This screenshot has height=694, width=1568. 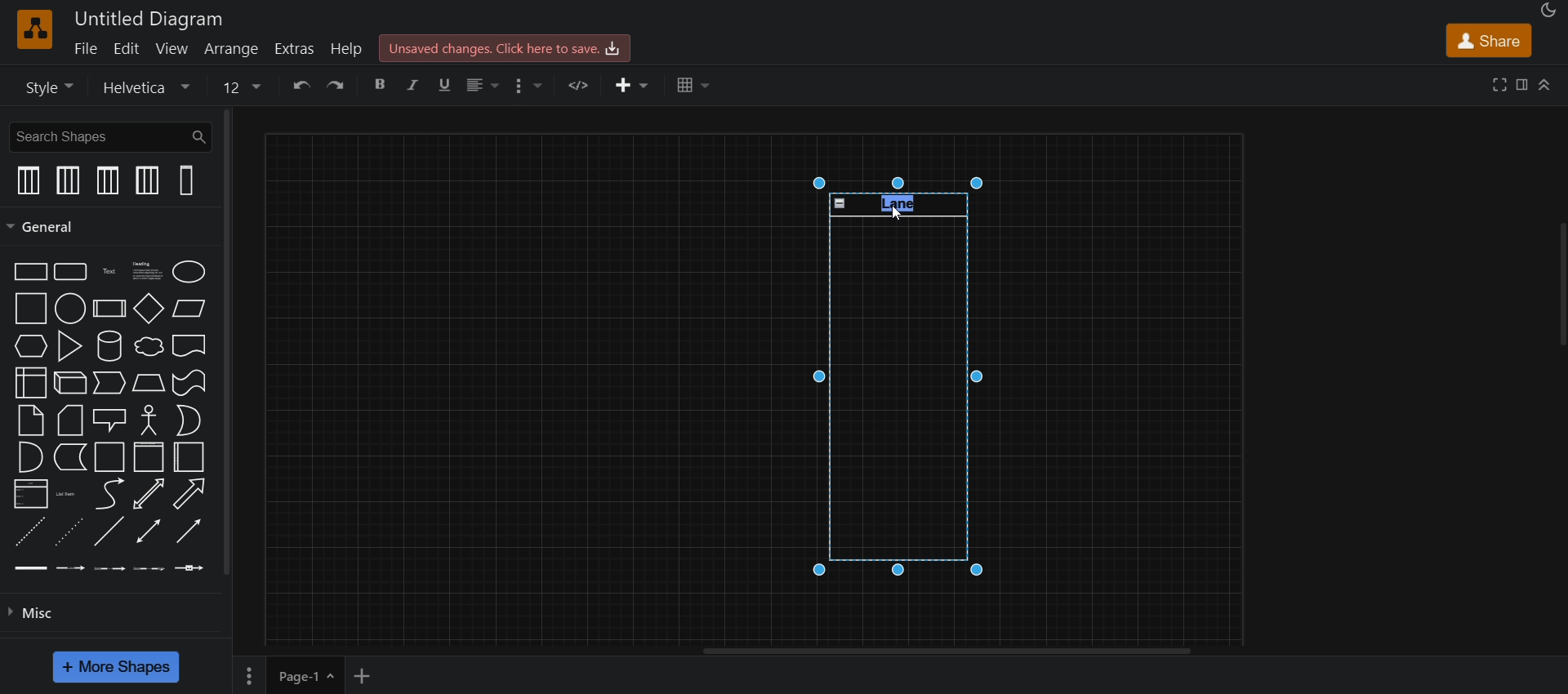 I want to click on format, so click(x=530, y=87).